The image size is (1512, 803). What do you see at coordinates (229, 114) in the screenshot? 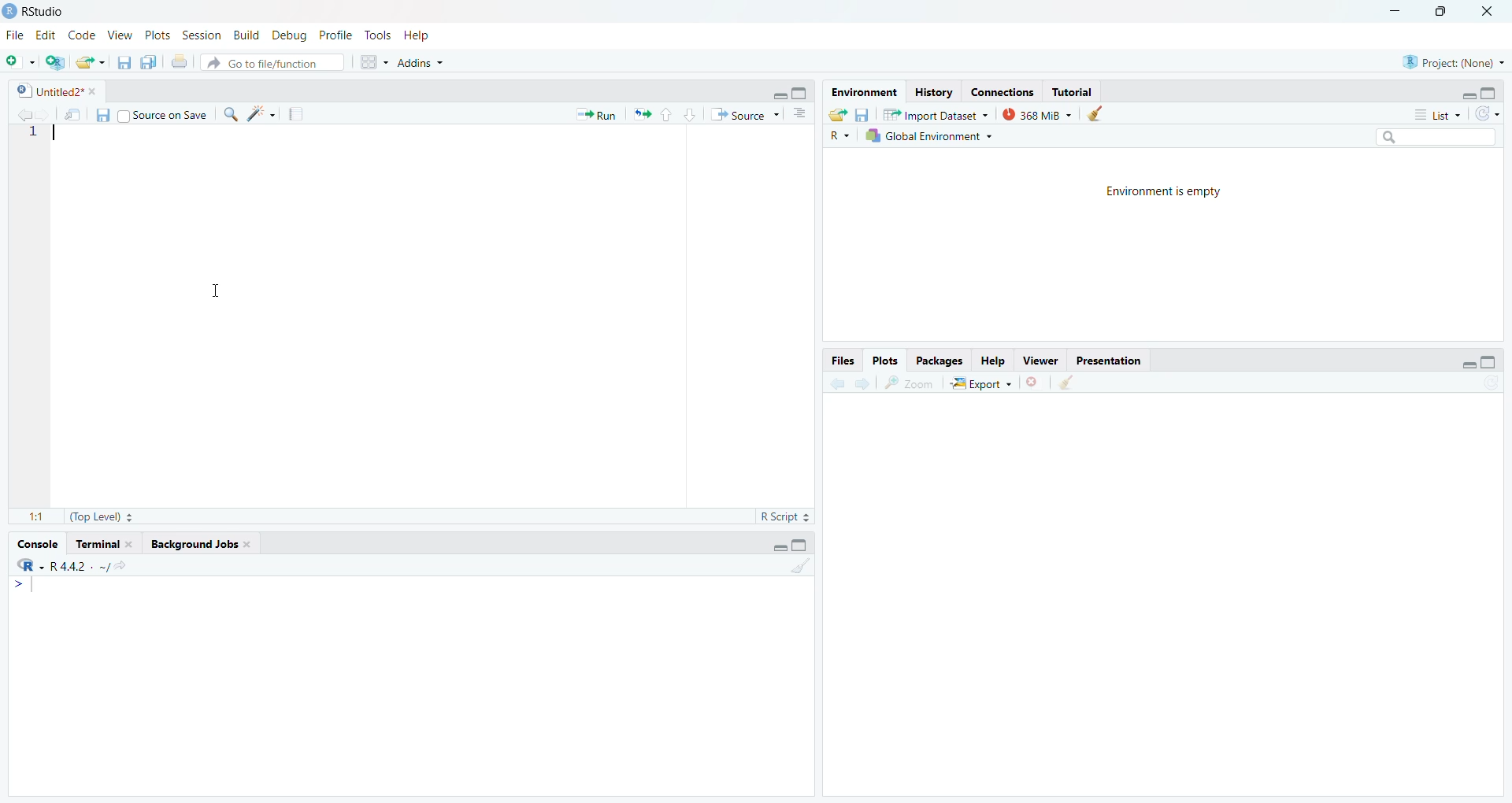
I see `search` at bounding box center [229, 114].